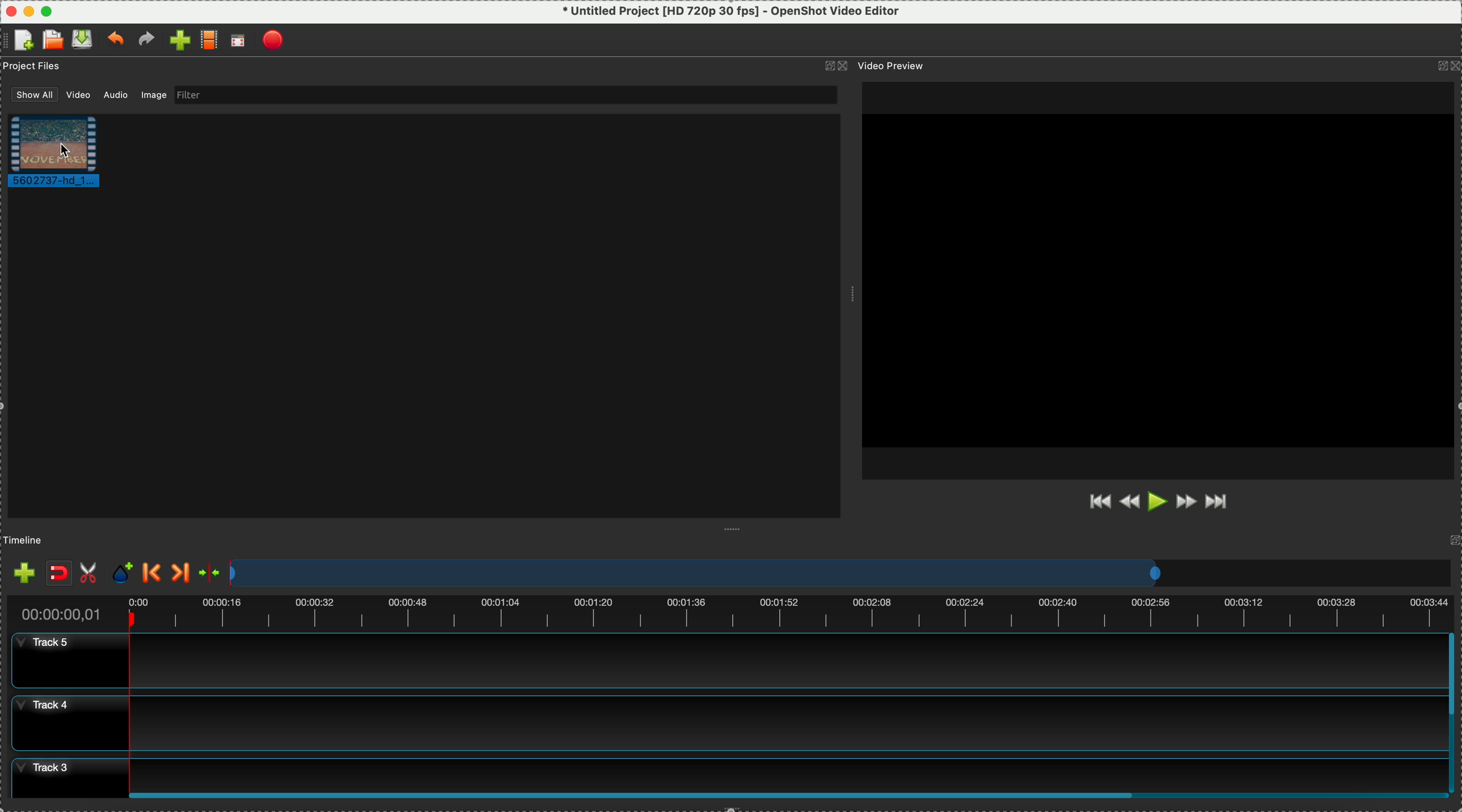 The image size is (1462, 812). I want to click on minimize, so click(28, 10).